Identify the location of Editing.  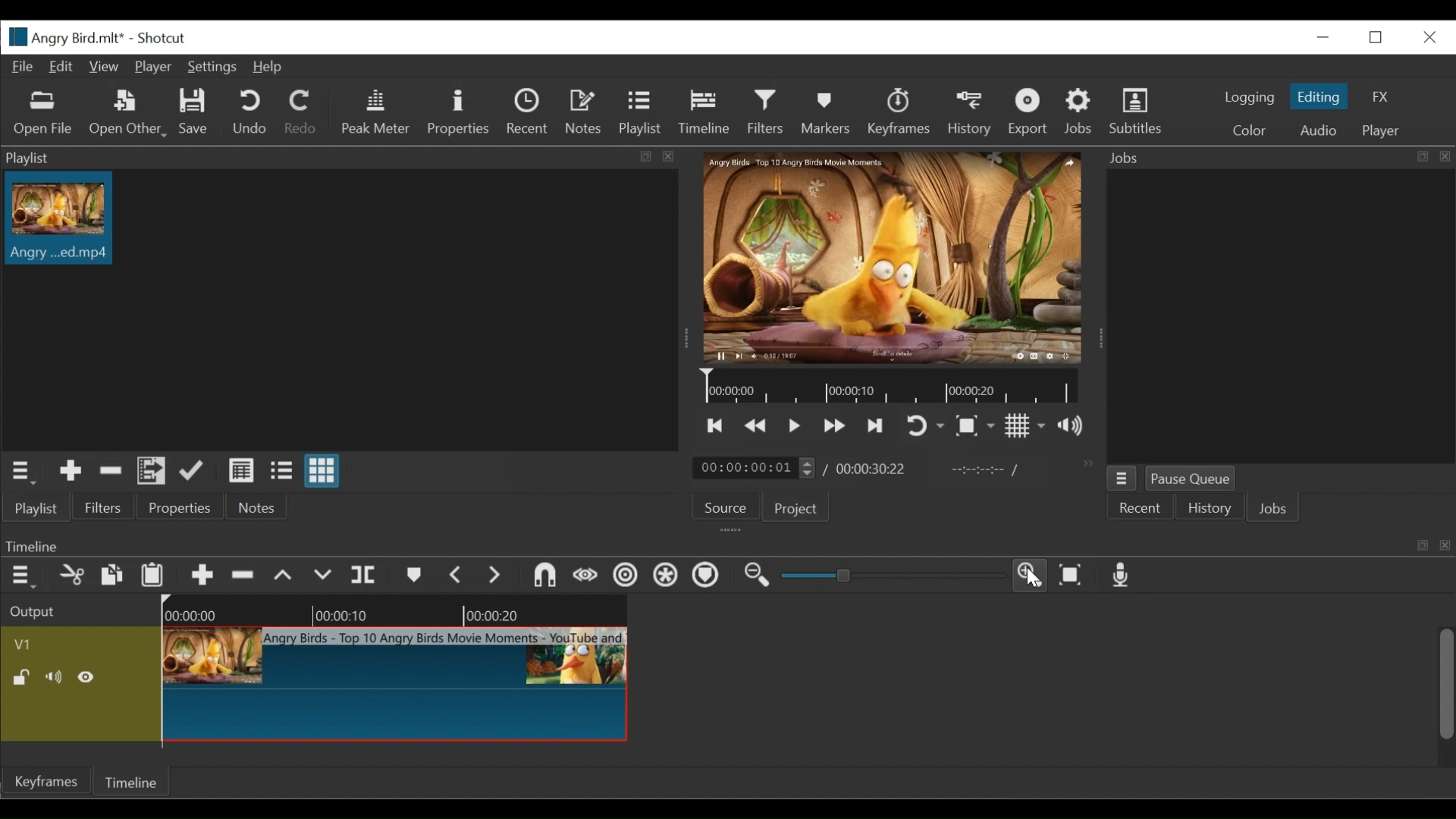
(1319, 96).